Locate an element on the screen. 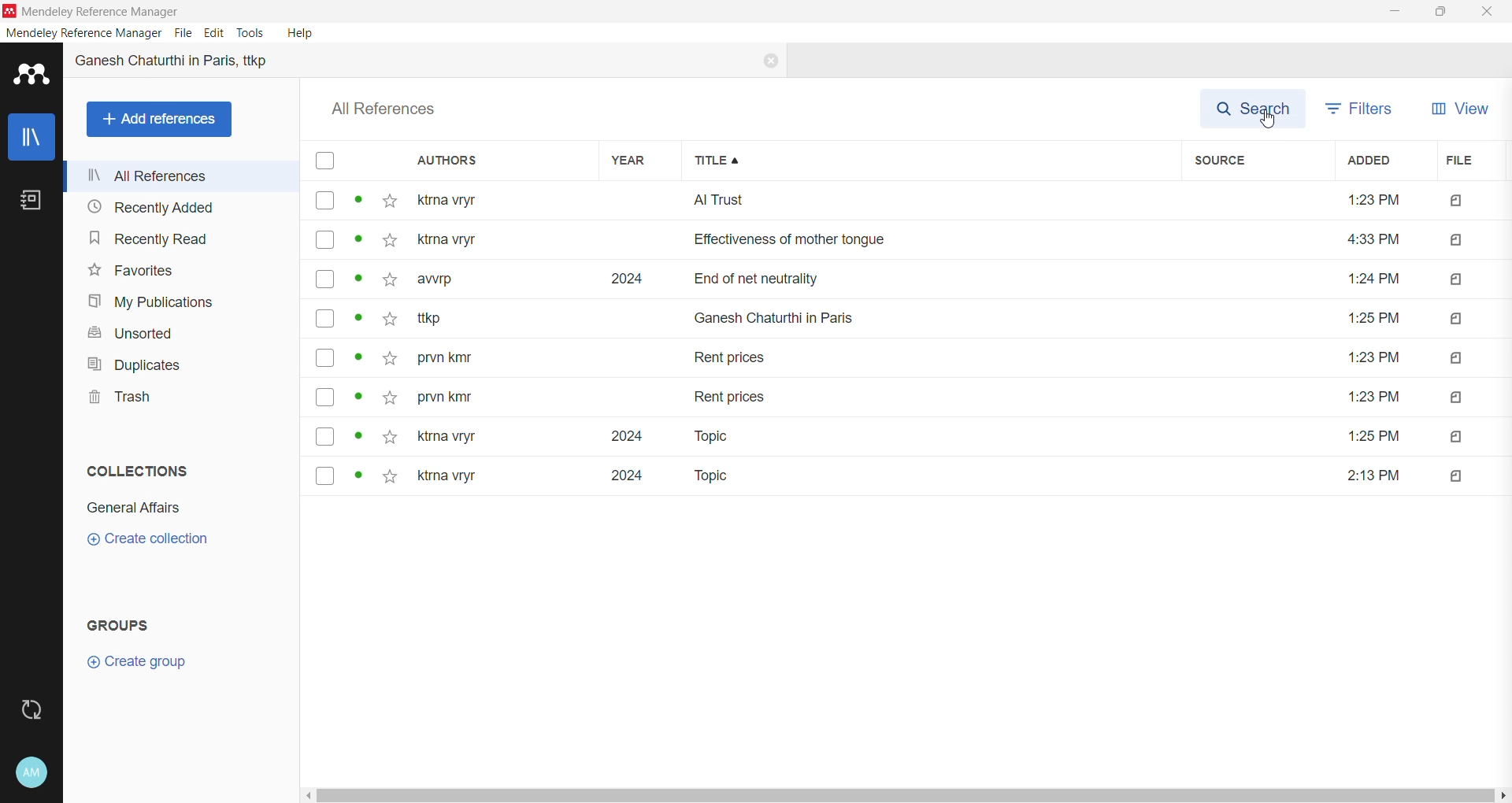  select reference  is located at coordinates (326, 279).